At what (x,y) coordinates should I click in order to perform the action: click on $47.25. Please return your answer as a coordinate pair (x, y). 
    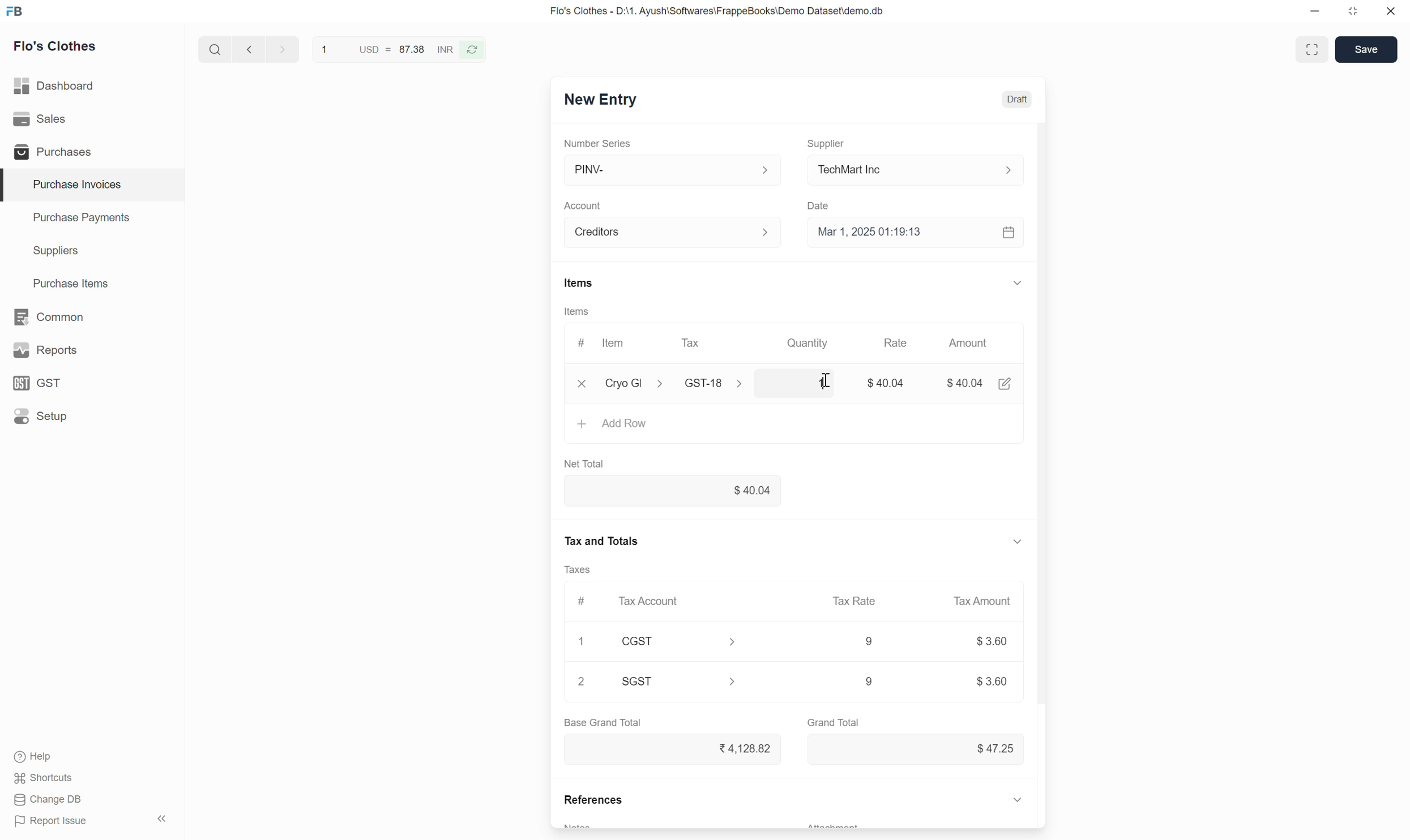
    Looking at the image, I should click on (988, 748).